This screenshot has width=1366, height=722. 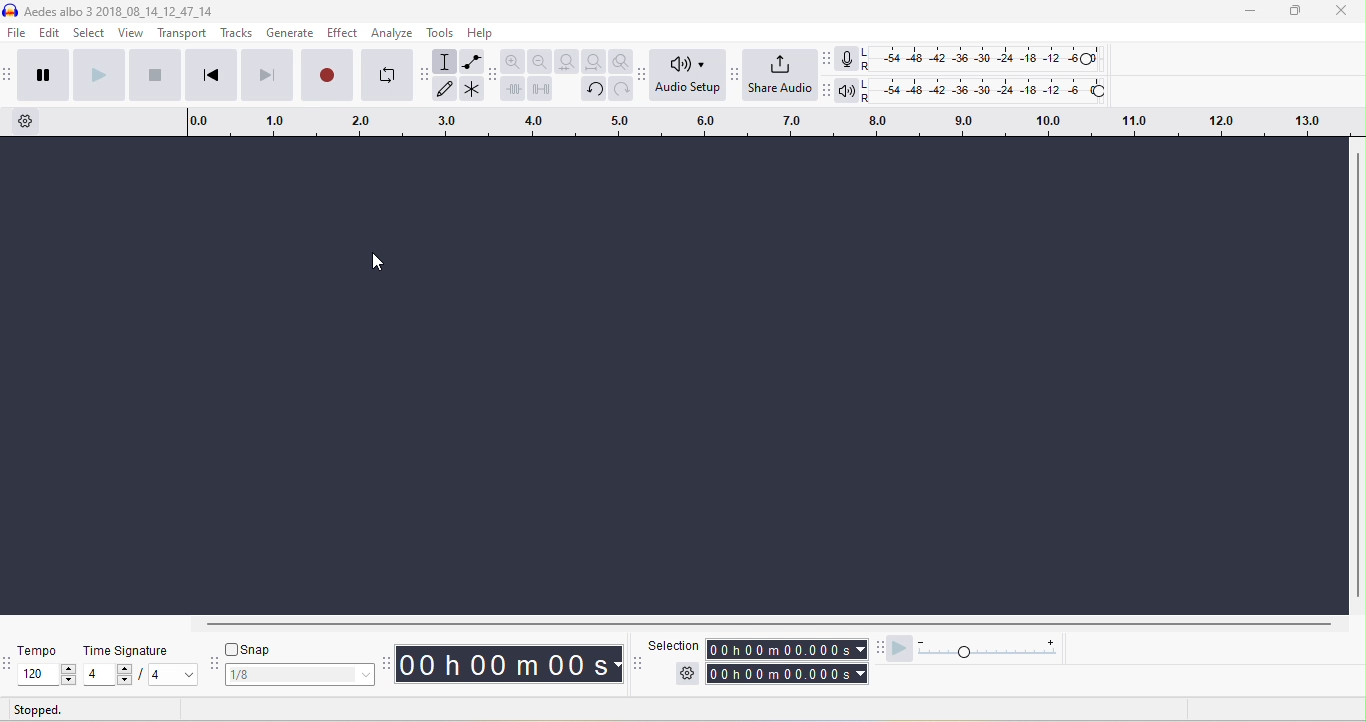 What do you see at coordinates (132, 32) in the screenshot?
I see `view` at bounding box center [132, 32].